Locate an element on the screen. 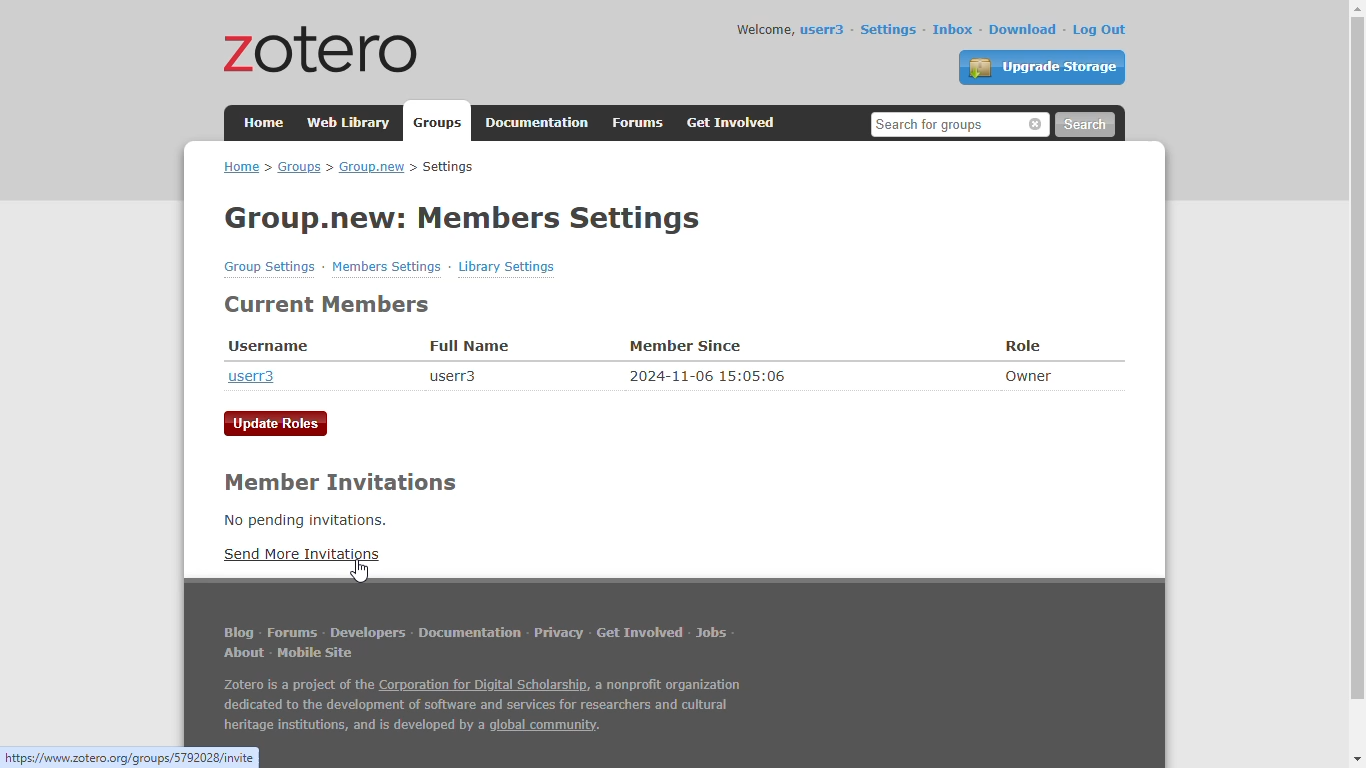  zotero is located at coordinates (323, 48).